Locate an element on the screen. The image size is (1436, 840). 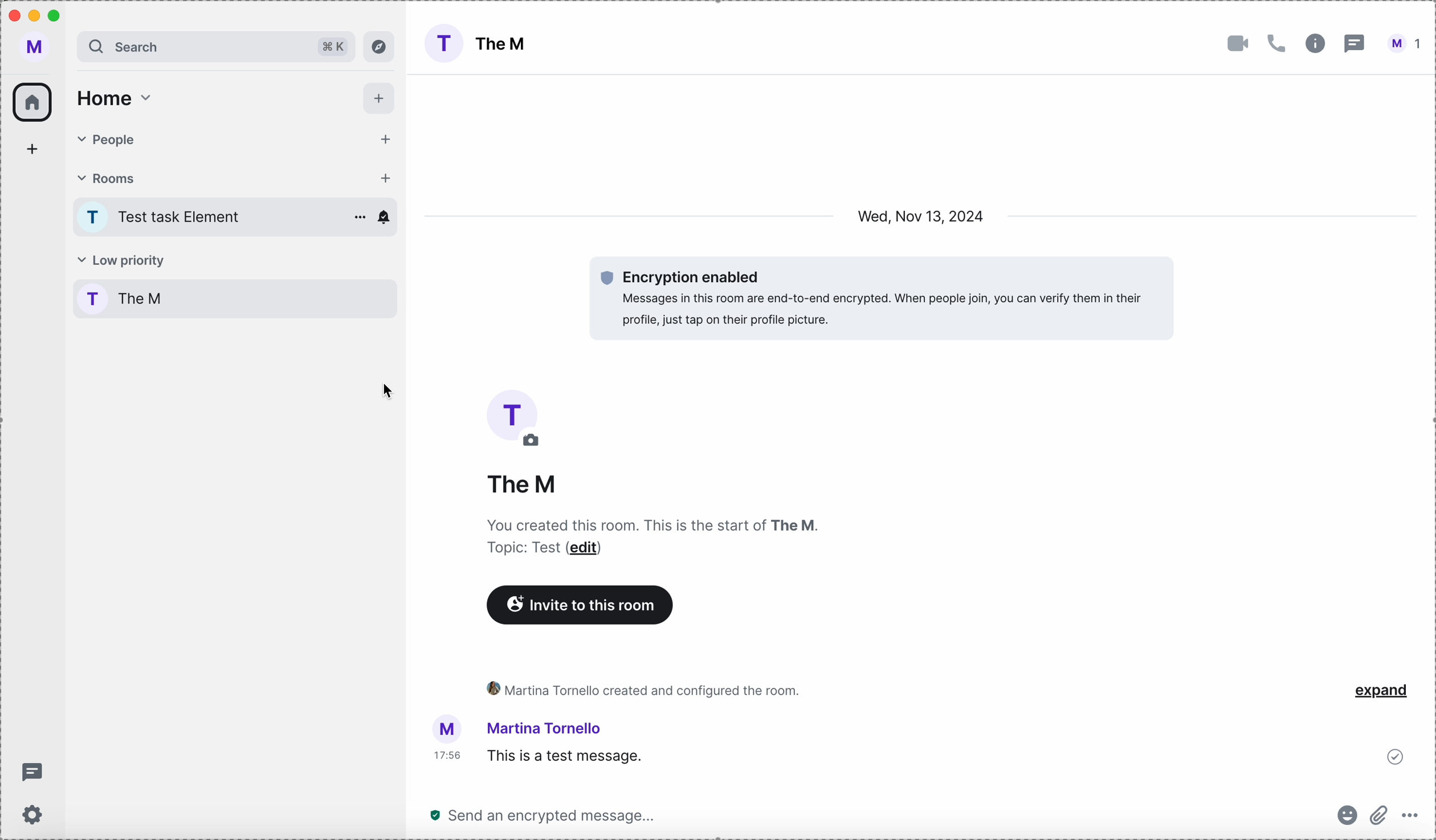
send a message is located at coordinates (546, 815).